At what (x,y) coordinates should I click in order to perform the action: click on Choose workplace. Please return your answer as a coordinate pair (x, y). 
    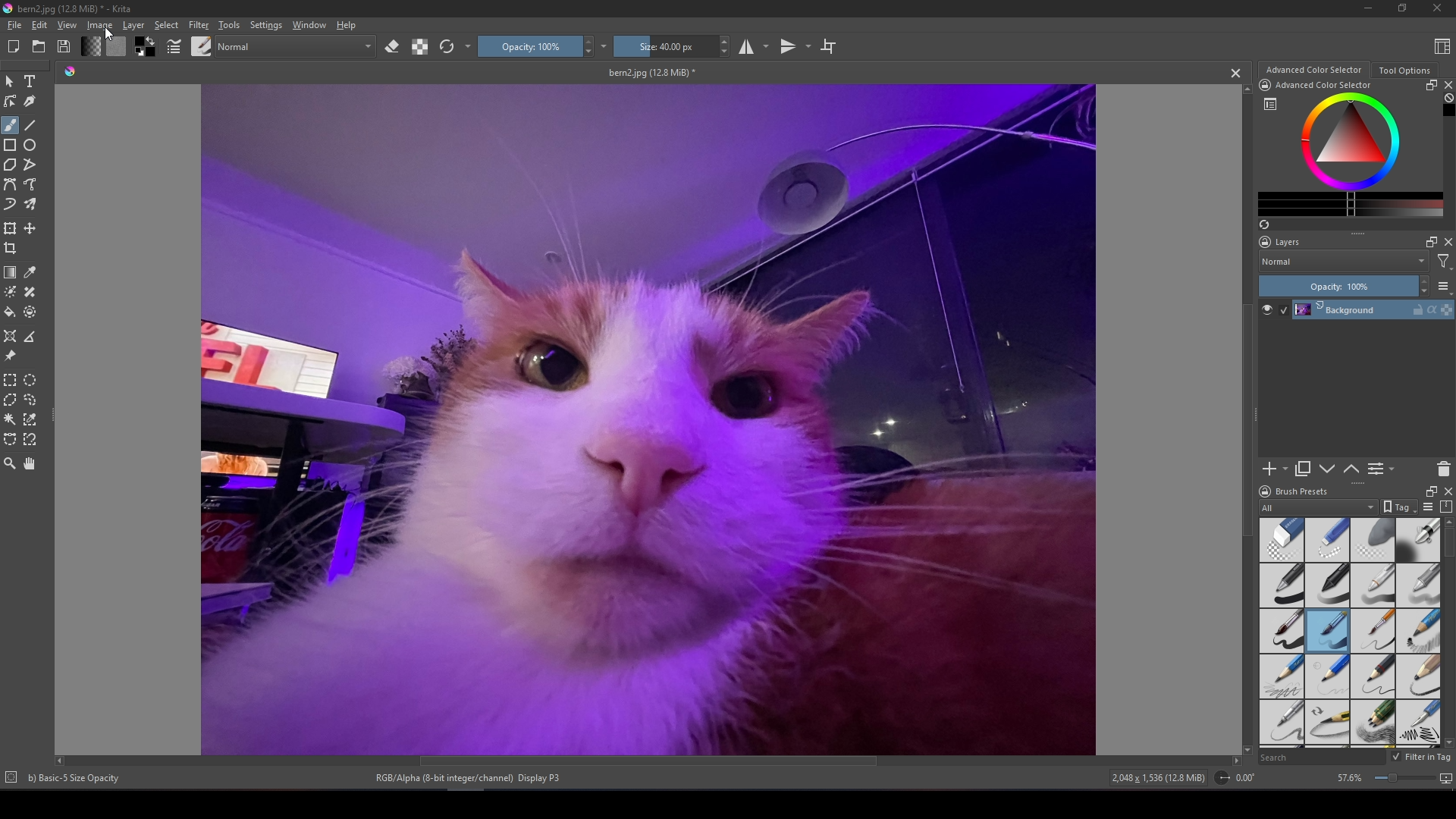
    Looking at the image, I should click on (1441, 46).